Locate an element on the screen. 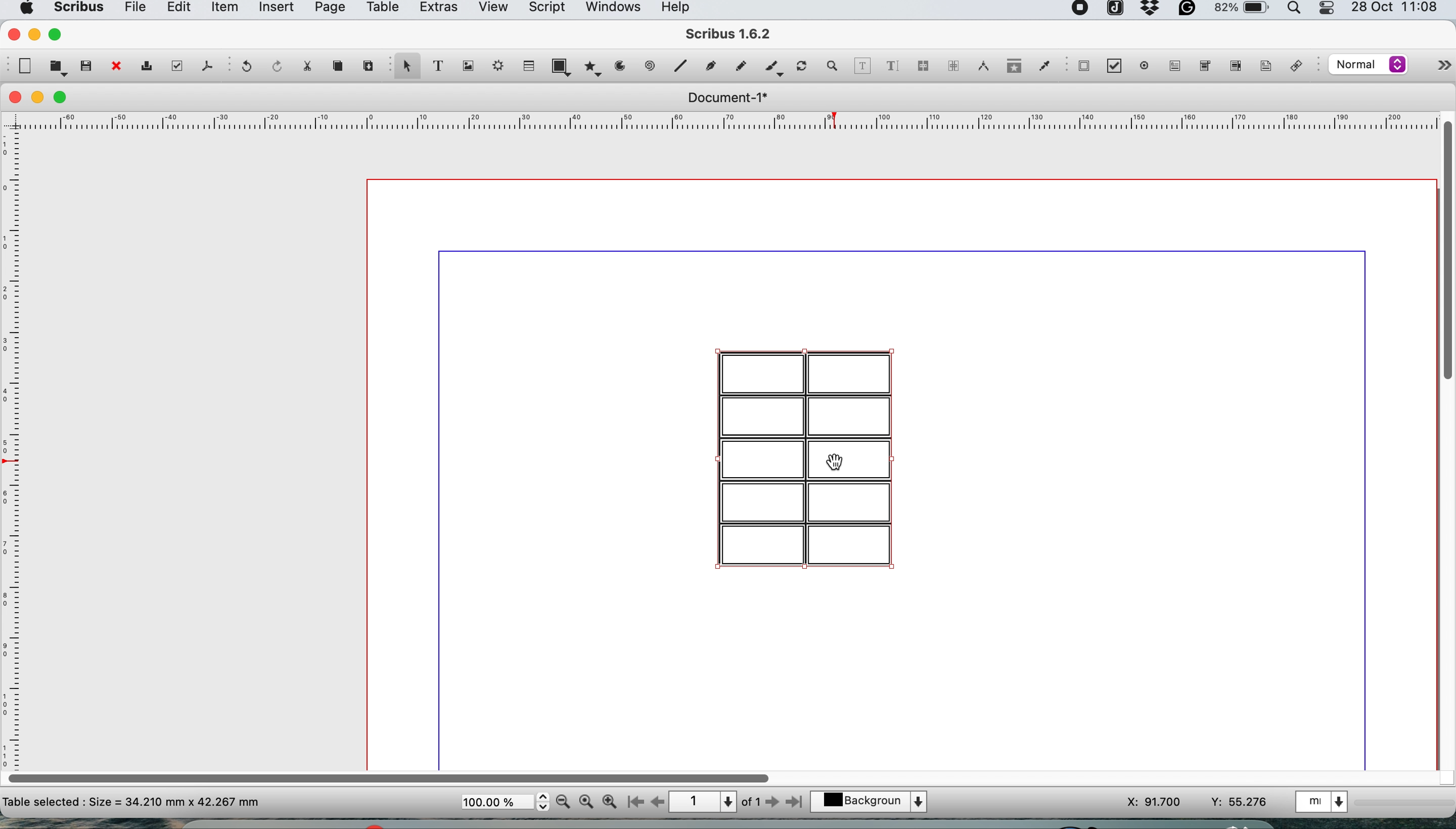 This screenshot has height=829, width=1456. scribus is located at coordinates (77, 9).